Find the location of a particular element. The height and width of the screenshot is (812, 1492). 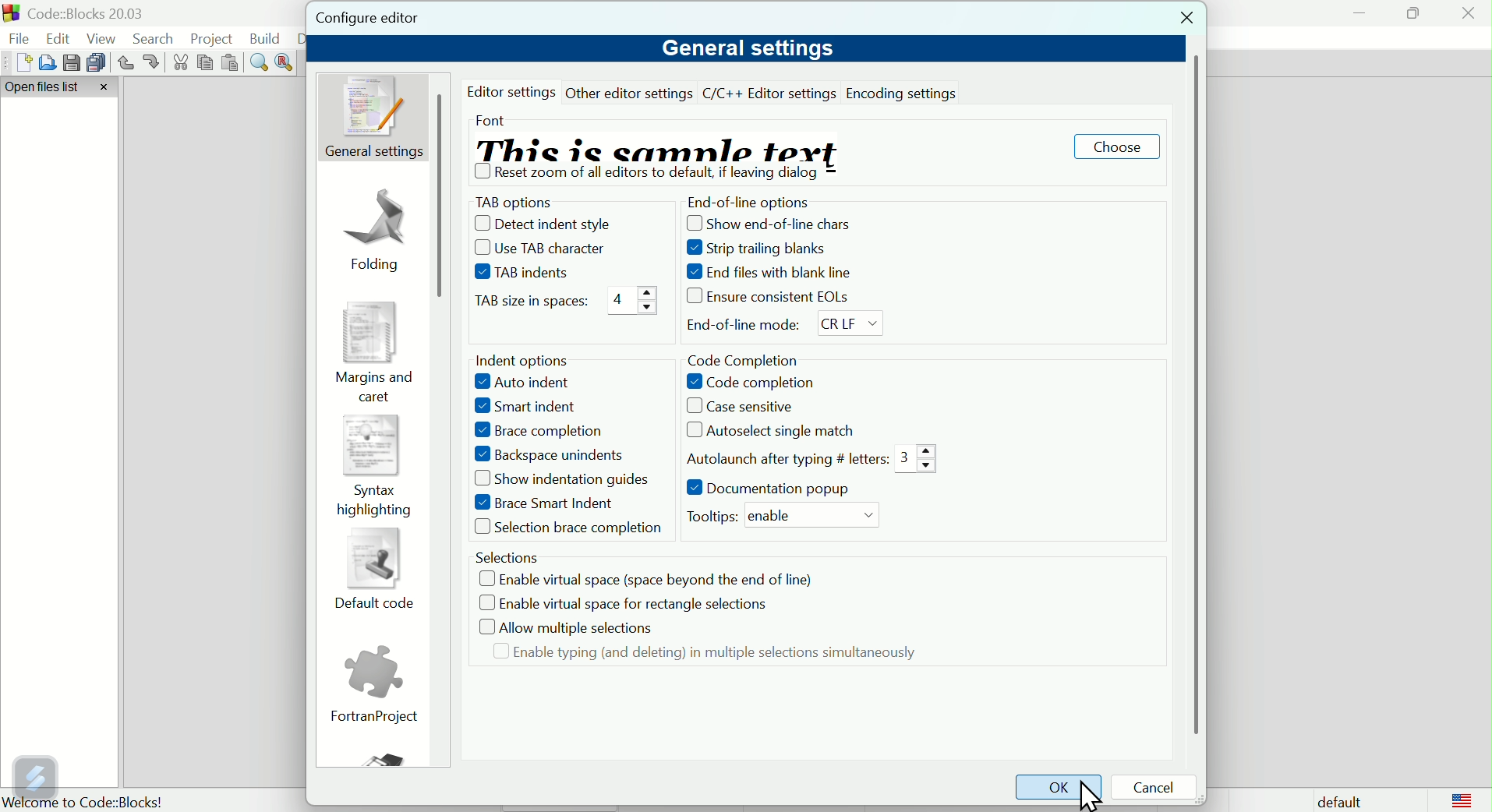

Auto select single match is located at coordinates (786, 430).